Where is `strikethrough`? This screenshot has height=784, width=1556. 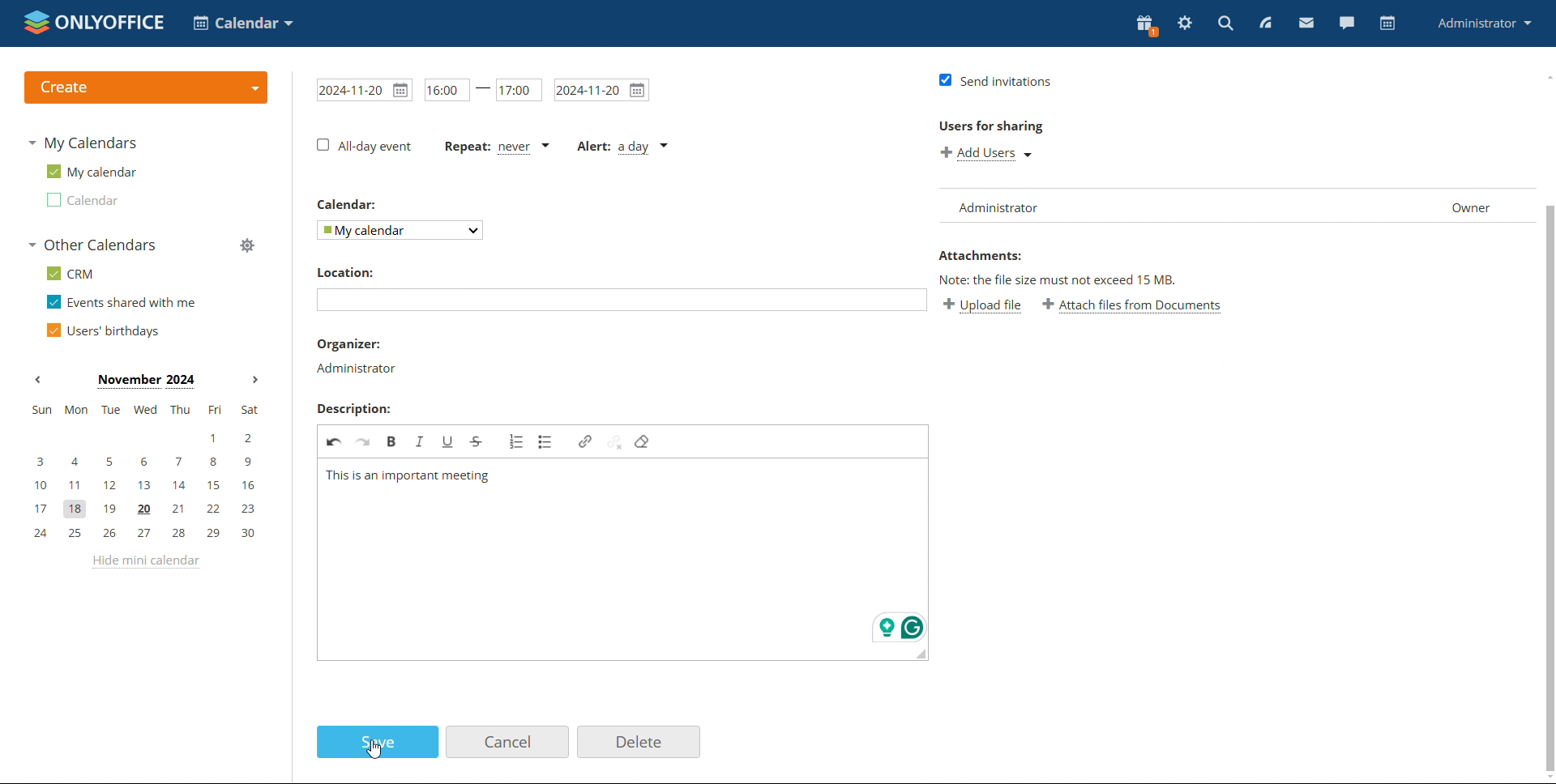 strikethrough is located at coordinates (478, 441).